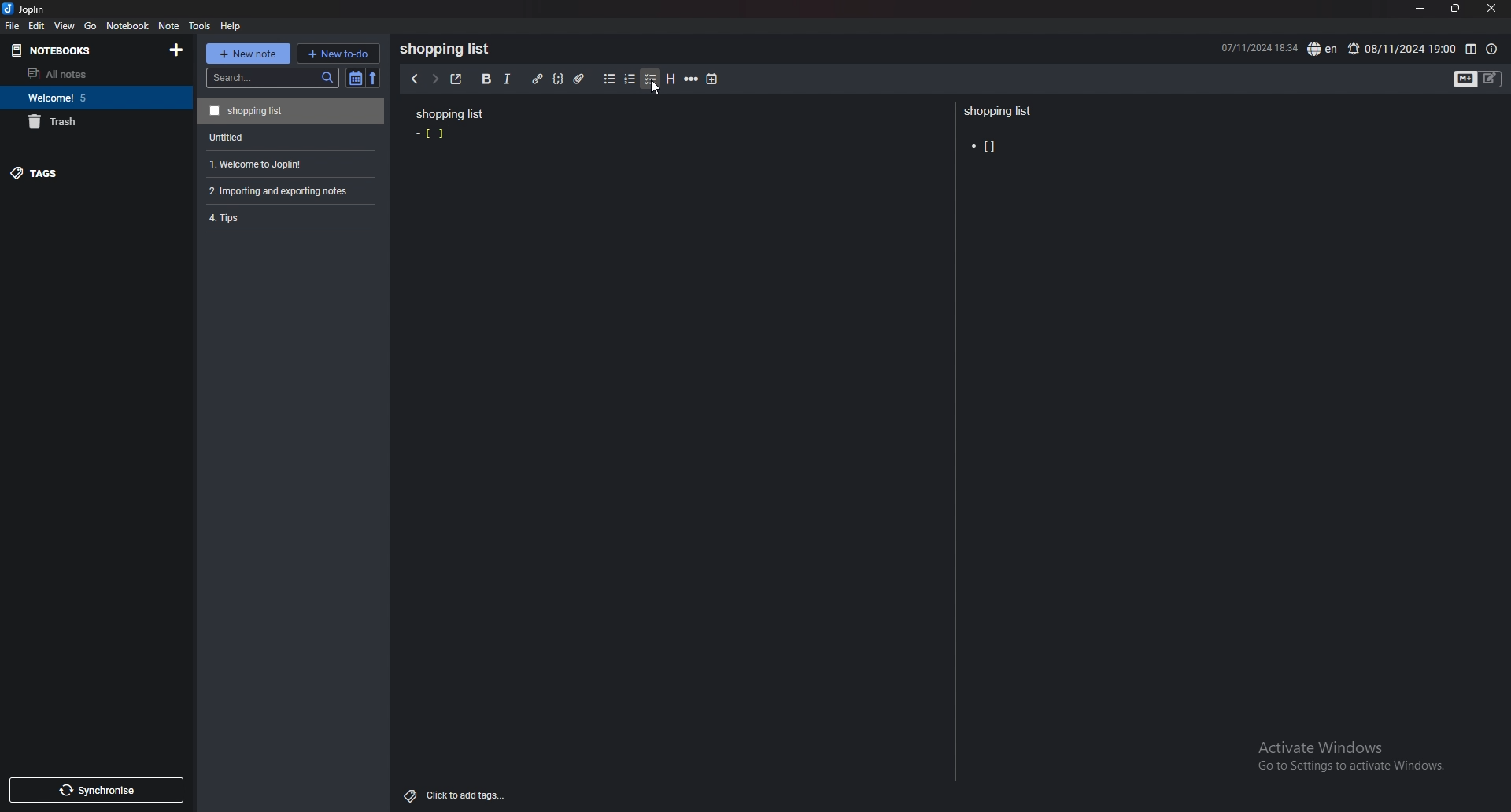  What do you see at coordinates (508, 79) in the screenshot?
I see `italic` at bounding box center [508, 79].